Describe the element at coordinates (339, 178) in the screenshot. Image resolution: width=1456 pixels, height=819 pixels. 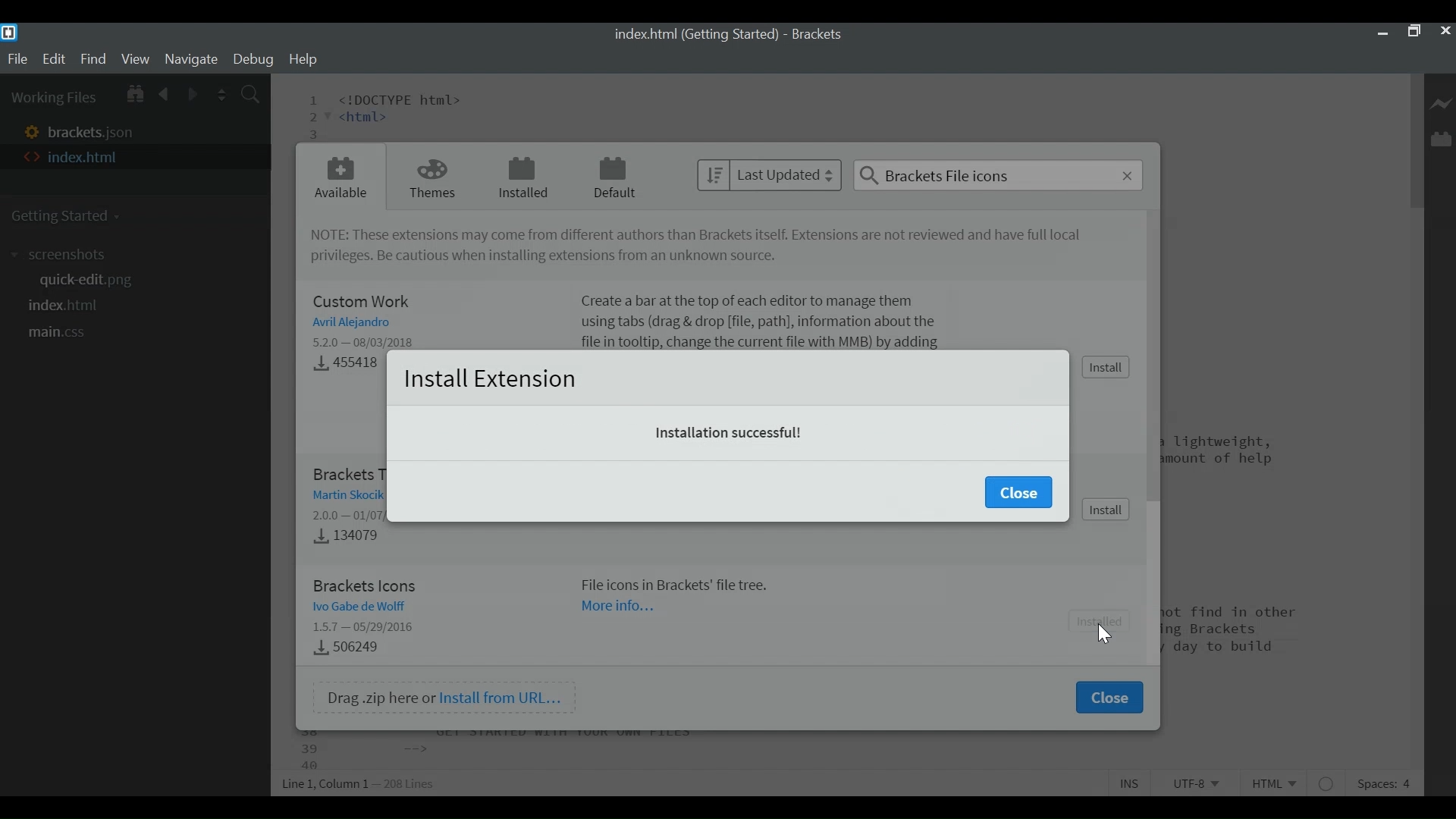
I see `Available` at that location.